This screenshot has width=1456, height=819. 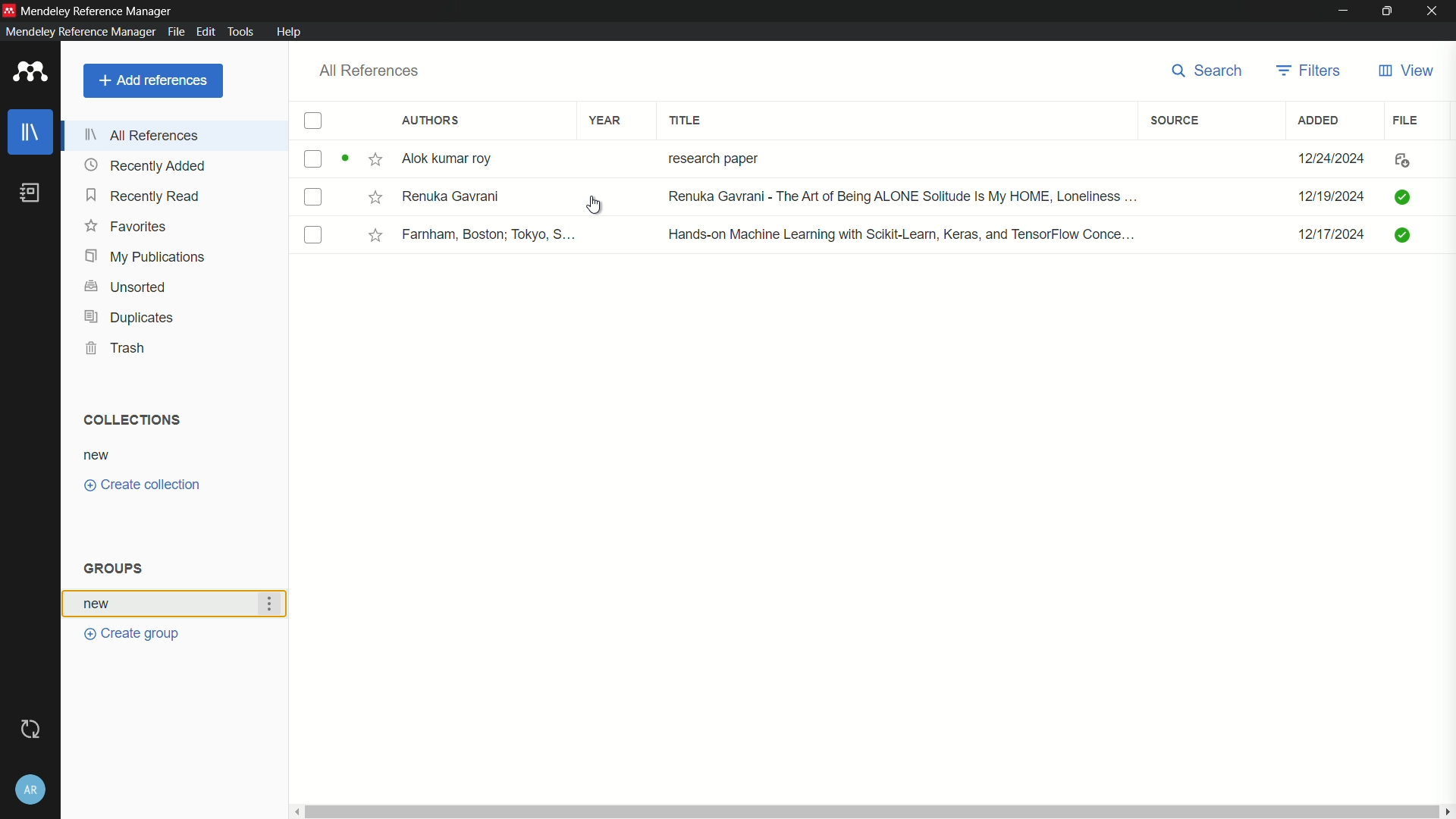 What do you see at coordinates (1388, 11) in the screenshot?
I see `maximize` at bounding box center [1388, 11].